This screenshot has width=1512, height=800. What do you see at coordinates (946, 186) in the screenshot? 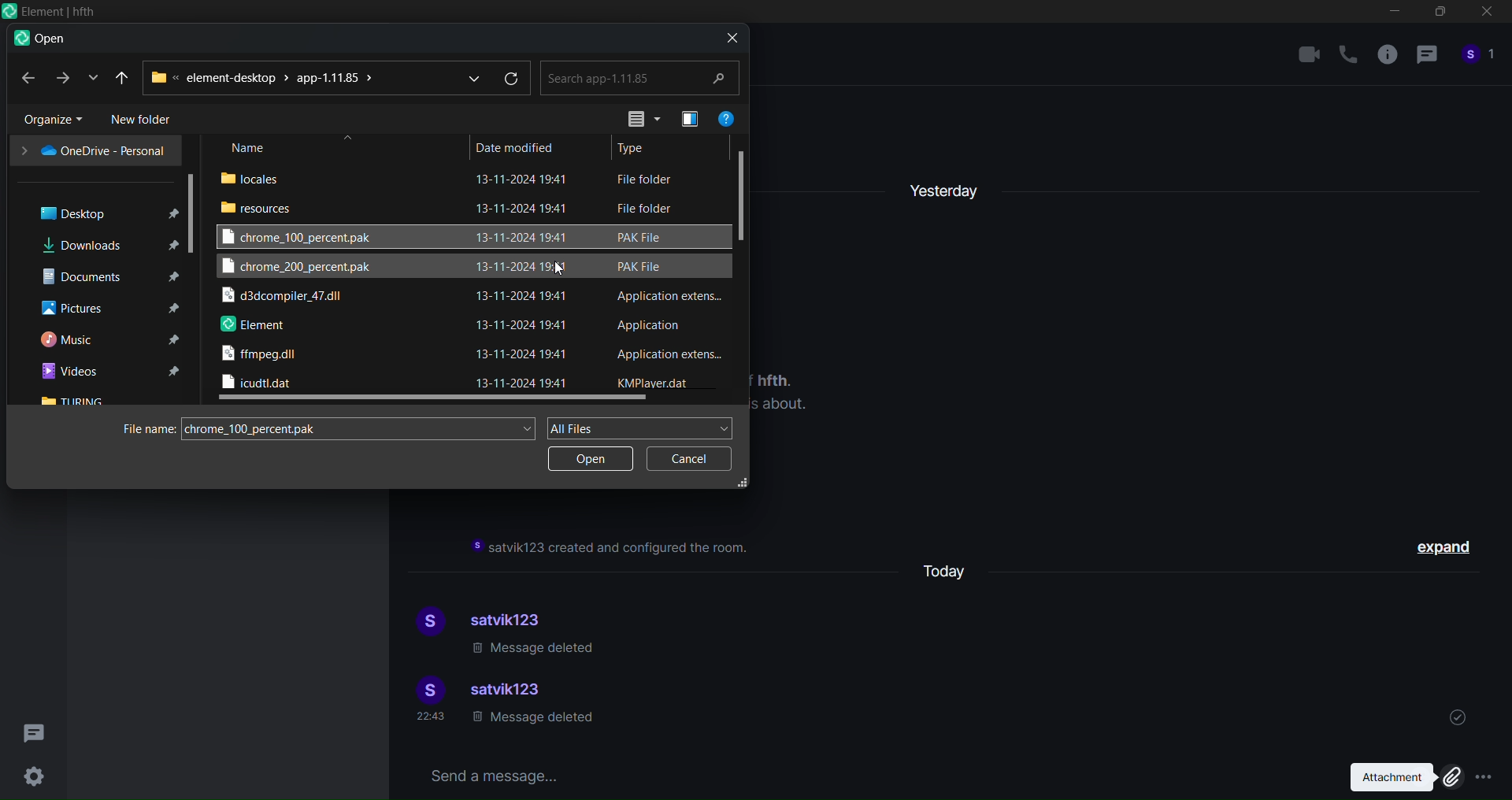
I see `yesterday` at bounding box center [946, 186].